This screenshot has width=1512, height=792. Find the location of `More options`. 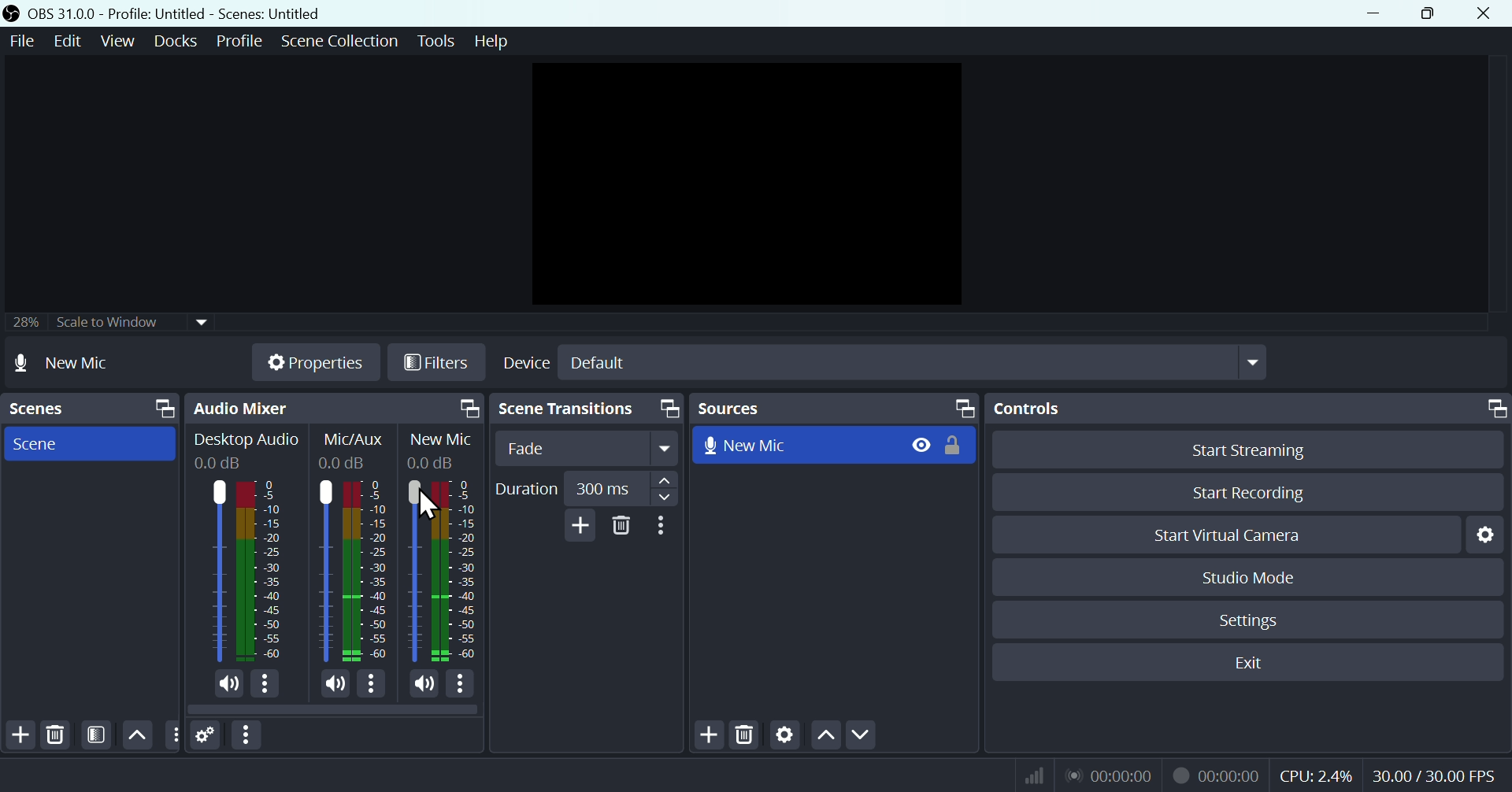

More options is located at coordinates (248, 735).